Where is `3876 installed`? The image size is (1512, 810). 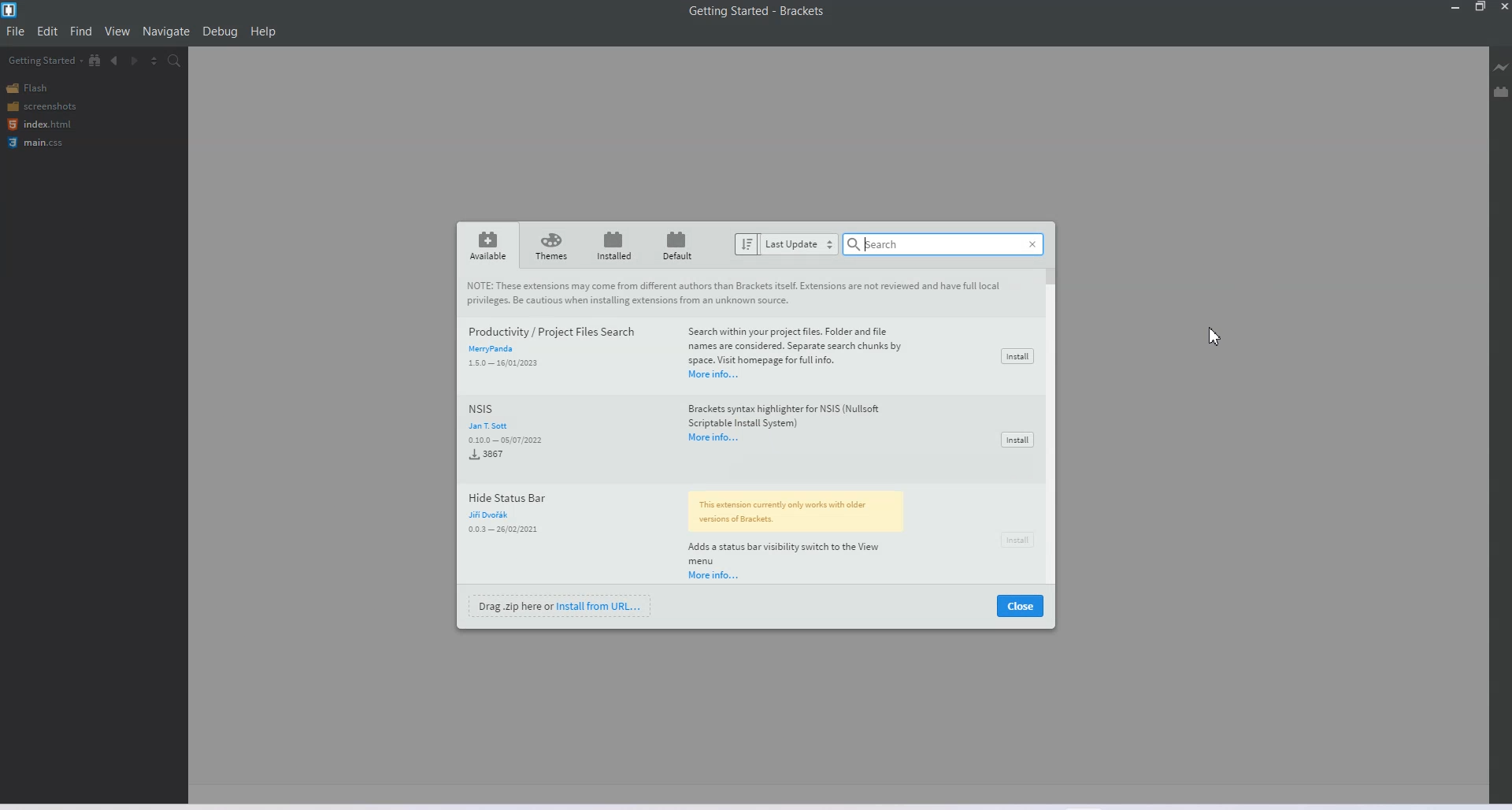 3876 installed is located at coordinates (487, 455).